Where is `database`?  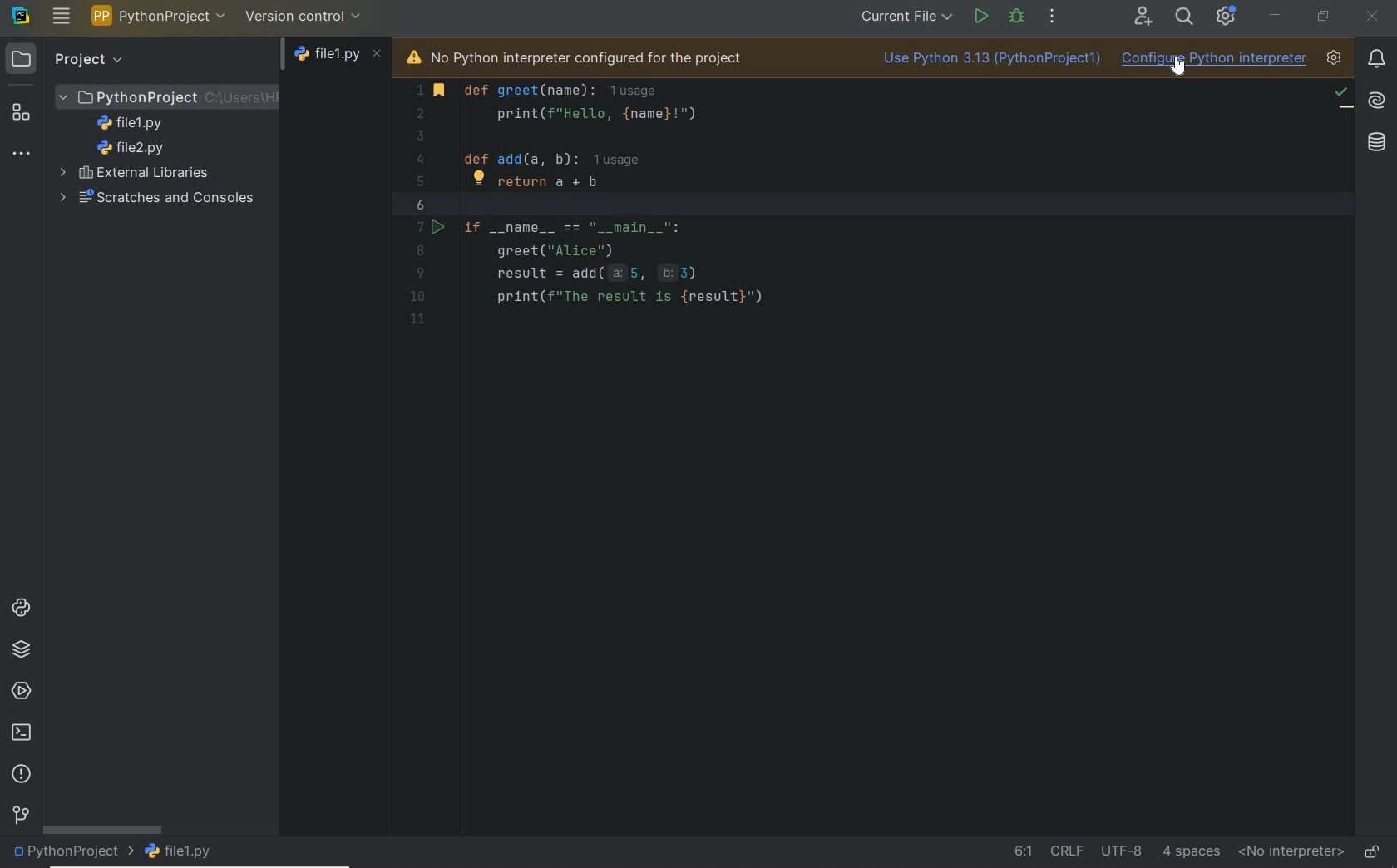
database is located at coordinates (1377, 143).